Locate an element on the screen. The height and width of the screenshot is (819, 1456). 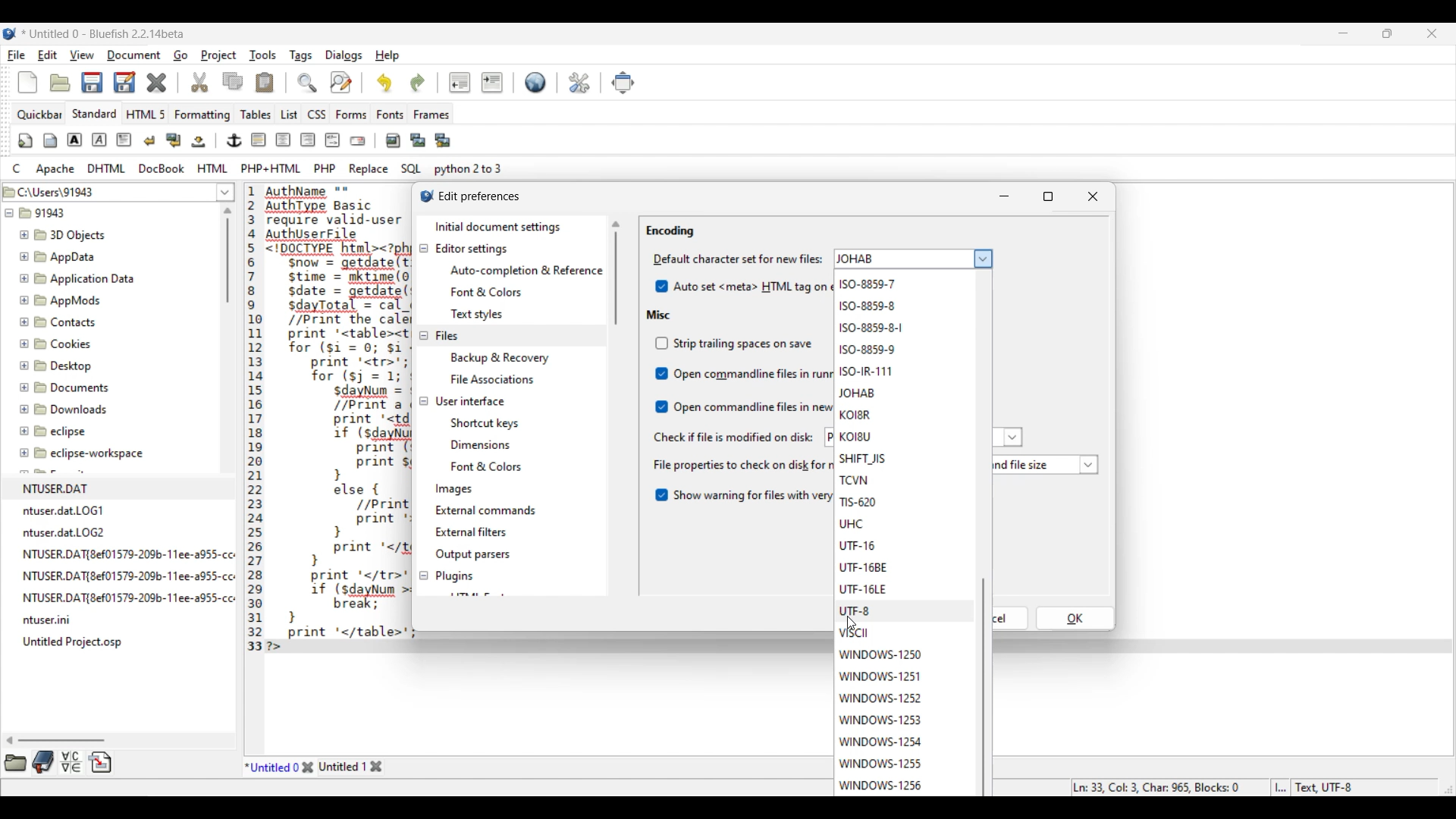
Standard is located at coordinates (95, 114).